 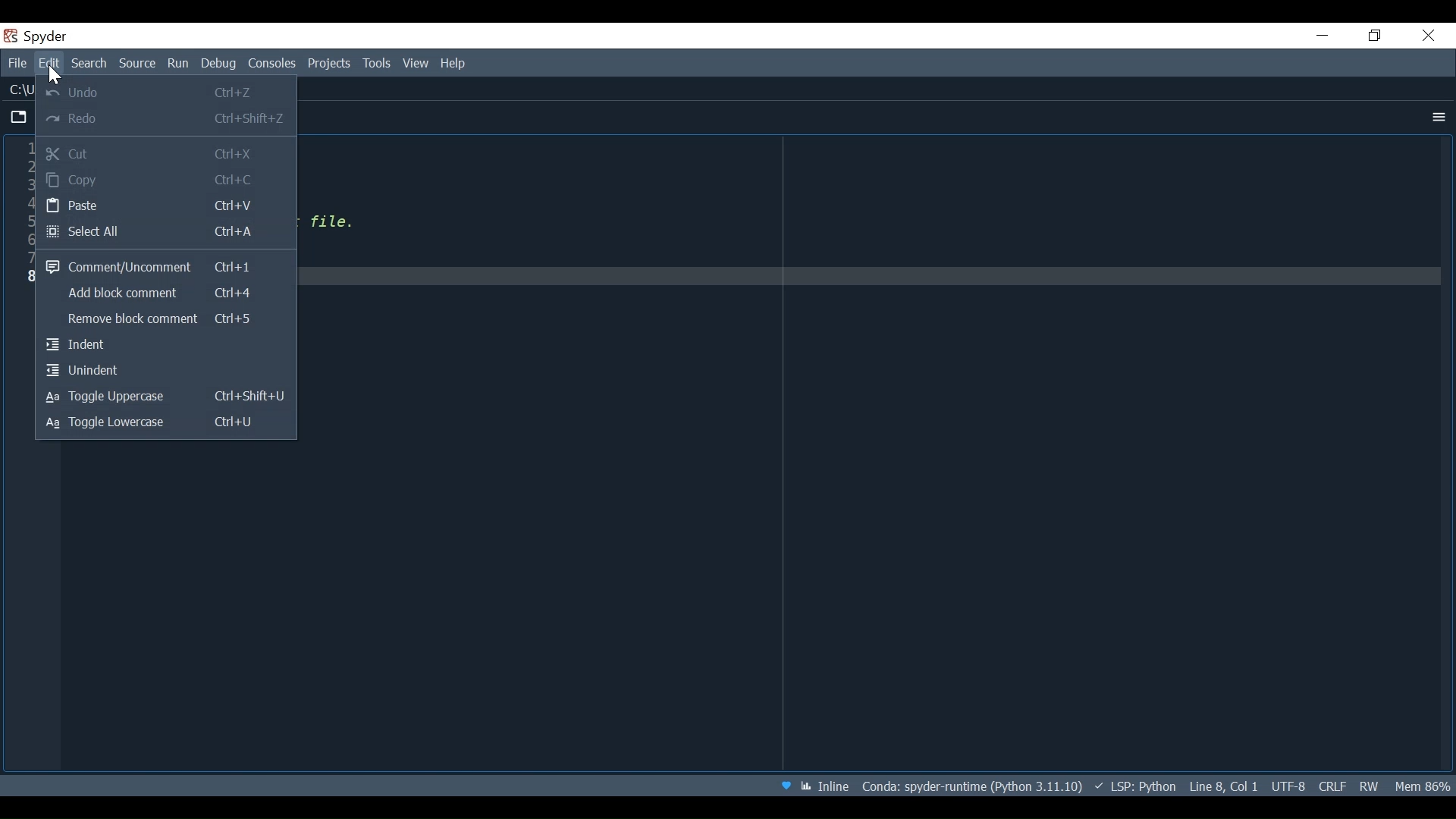 I want to click on File Encoding, so click(x=1289, y=785).